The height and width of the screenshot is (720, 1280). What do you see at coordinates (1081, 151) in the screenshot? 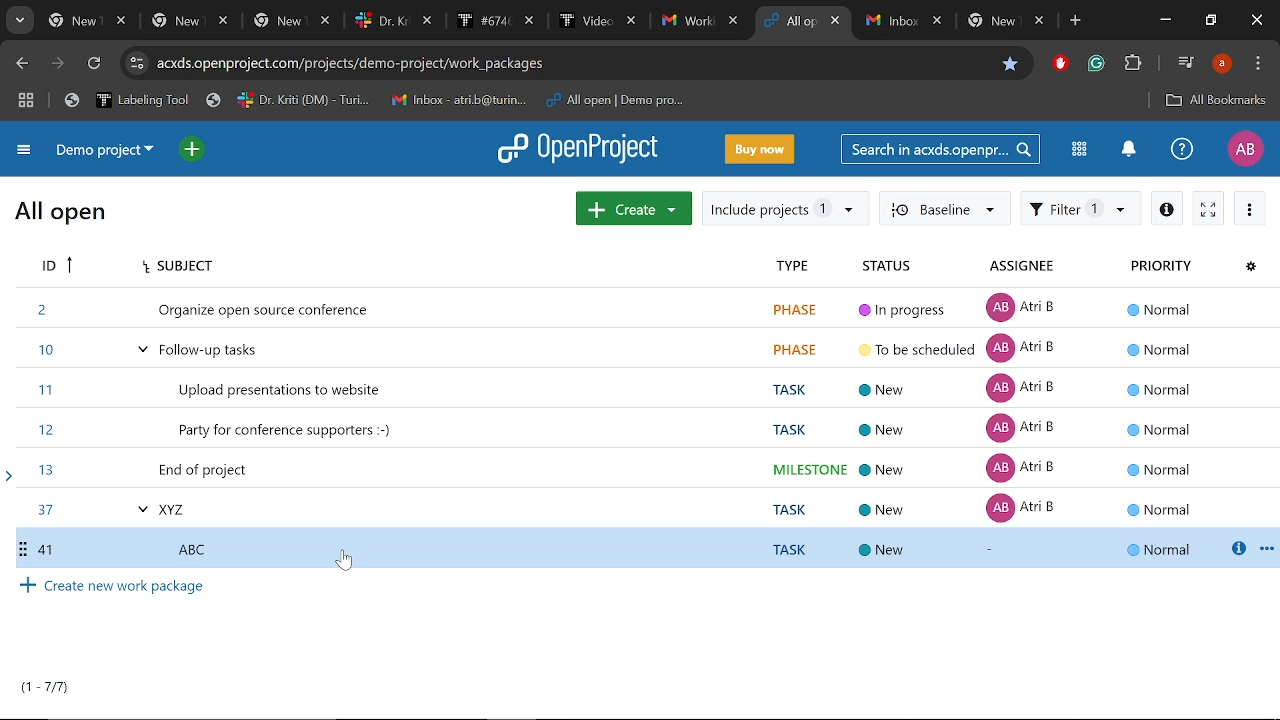
I see `Modules` at bounding box center [1081, 151].